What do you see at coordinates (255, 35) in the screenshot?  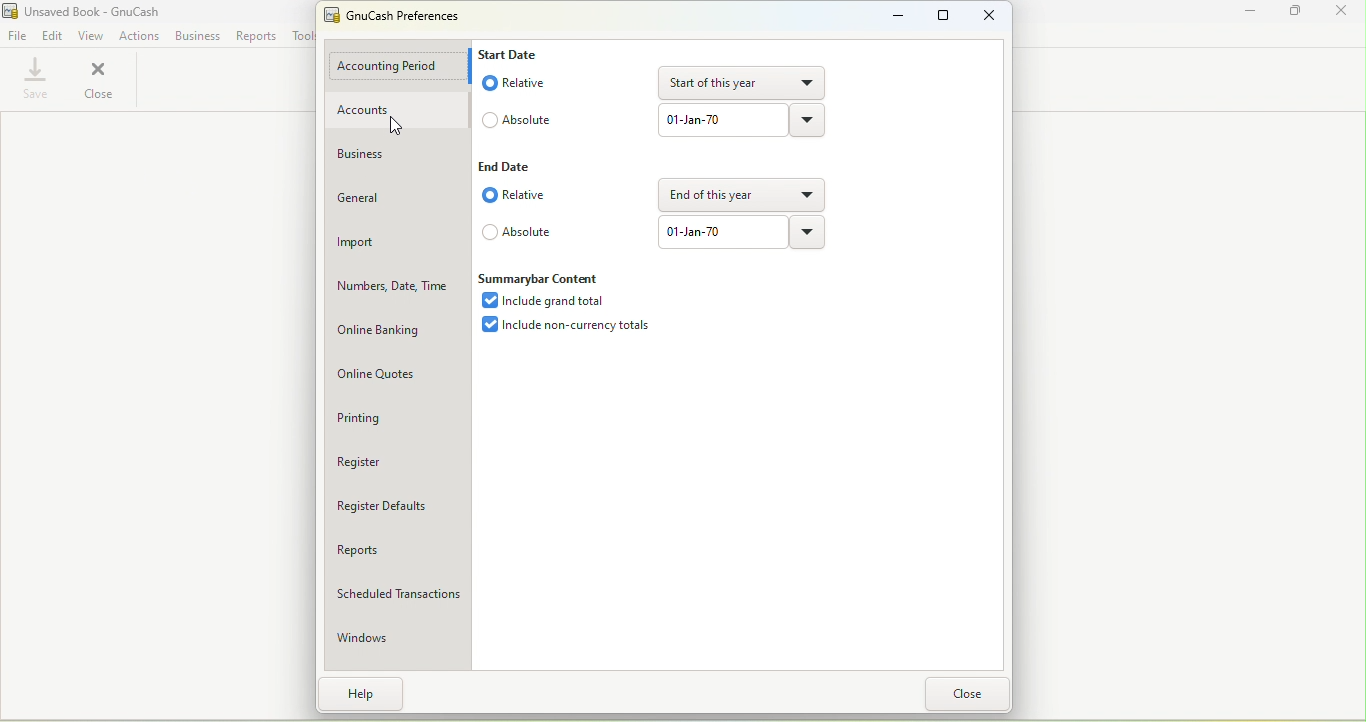 I see `Reports` at bounding box center [255, 35].